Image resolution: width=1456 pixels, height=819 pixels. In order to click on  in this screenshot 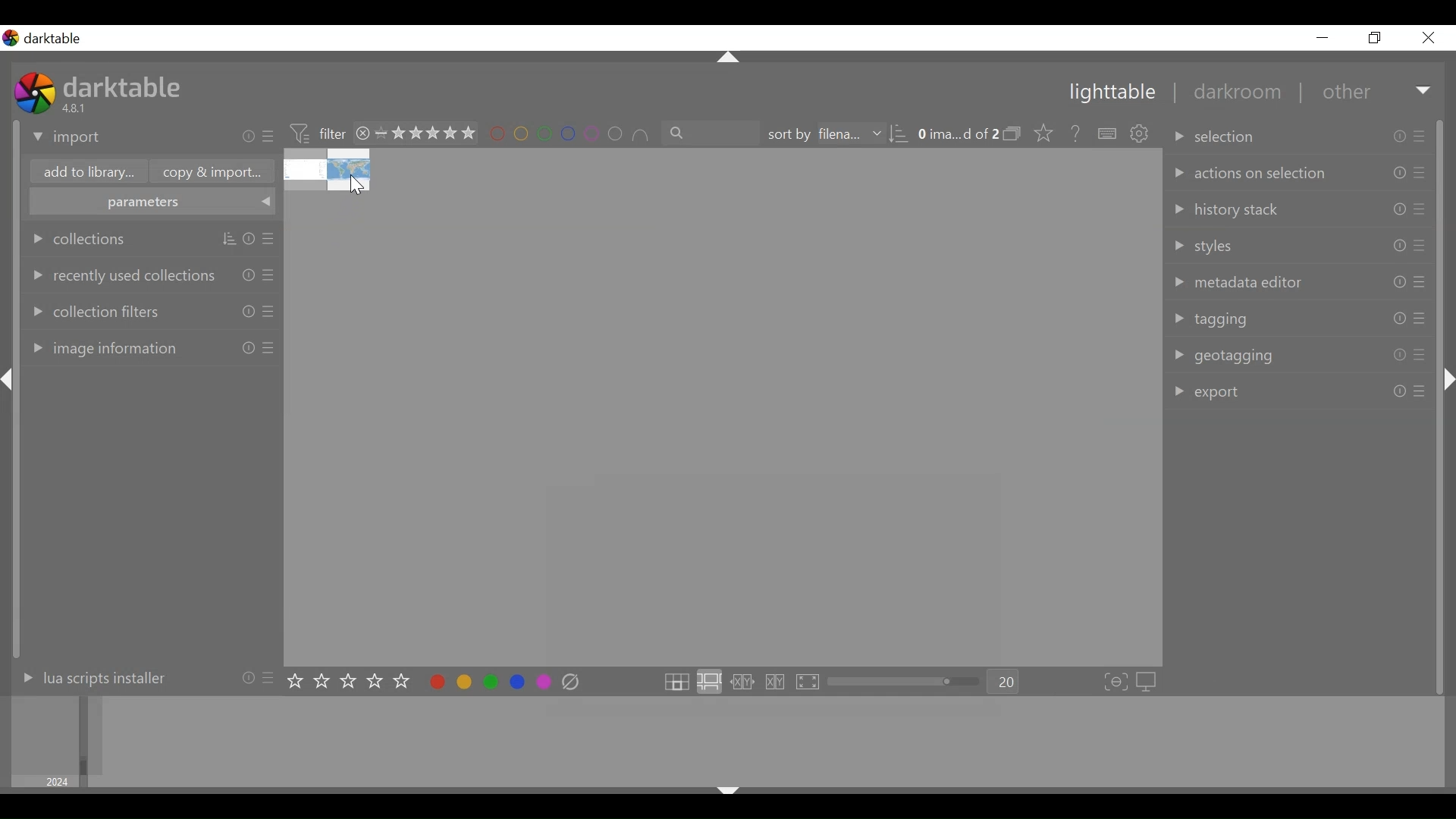, I will do `click(1423, 173)`.